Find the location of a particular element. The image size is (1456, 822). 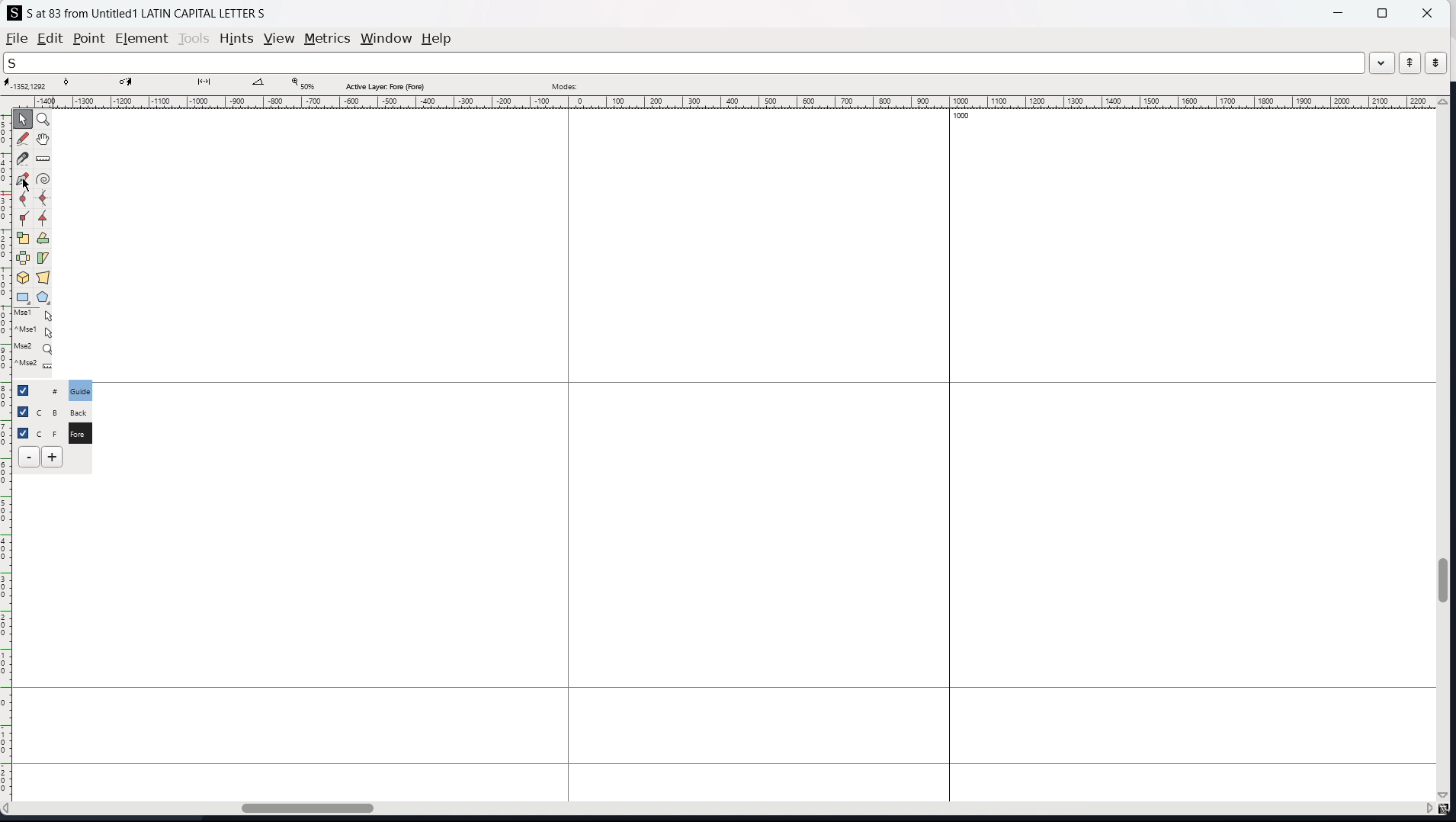

draw a freehand curve is located at coordinates (23, 139).